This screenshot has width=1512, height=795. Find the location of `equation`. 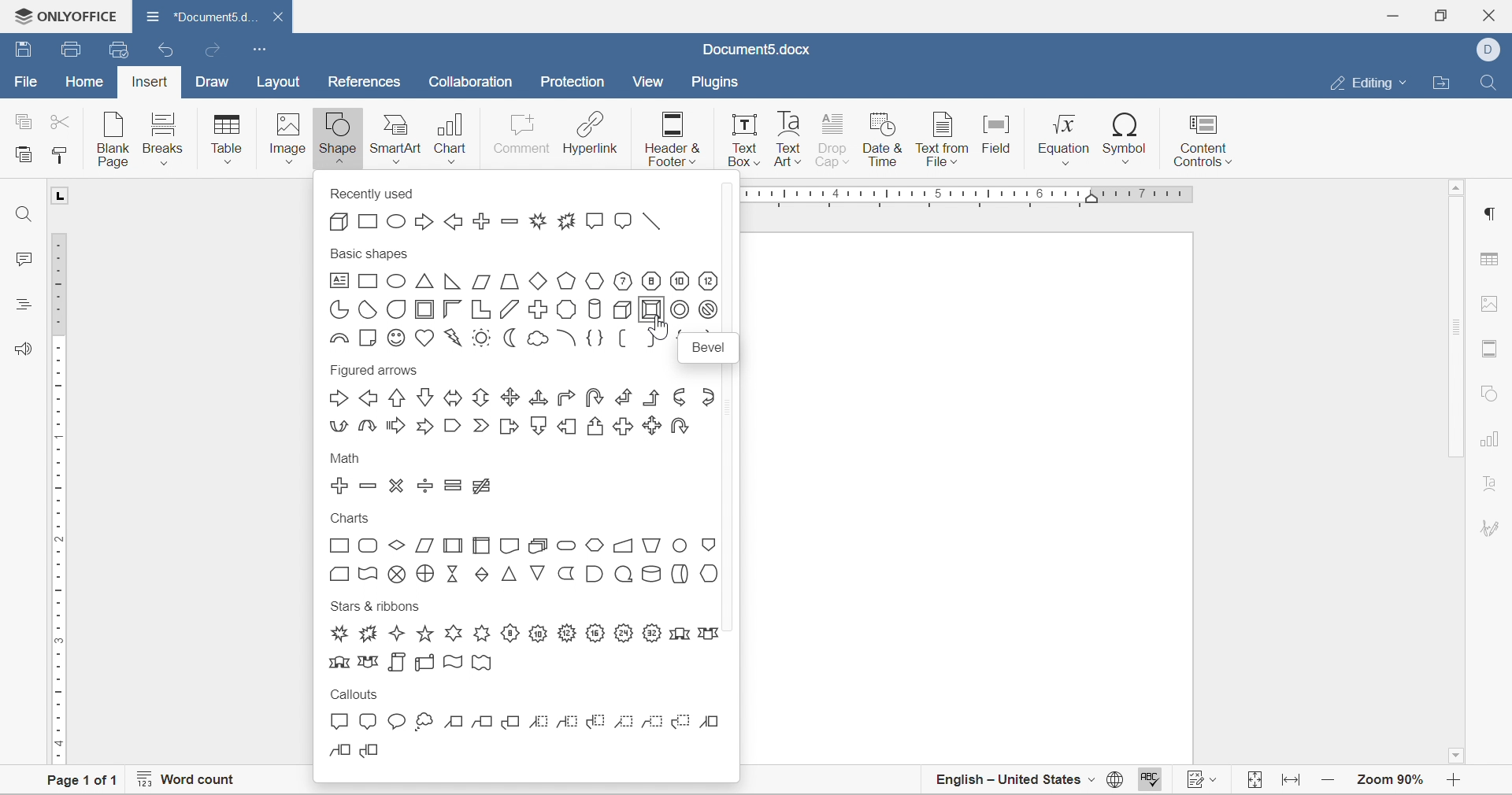

equation is located at coordinates (1063, 141).